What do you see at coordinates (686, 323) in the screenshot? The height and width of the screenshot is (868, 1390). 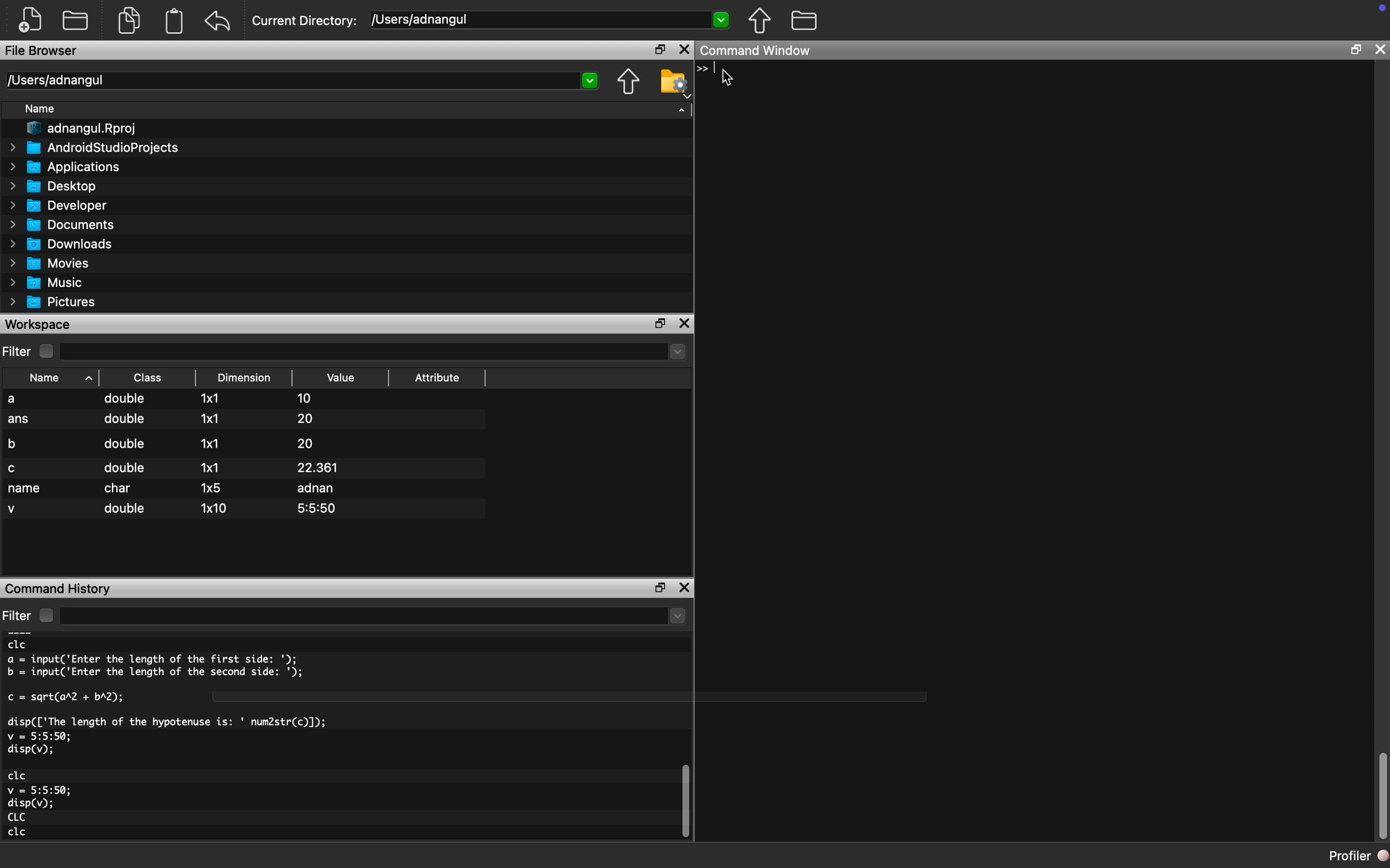 I see `Close` at bounding box center [686, 323].